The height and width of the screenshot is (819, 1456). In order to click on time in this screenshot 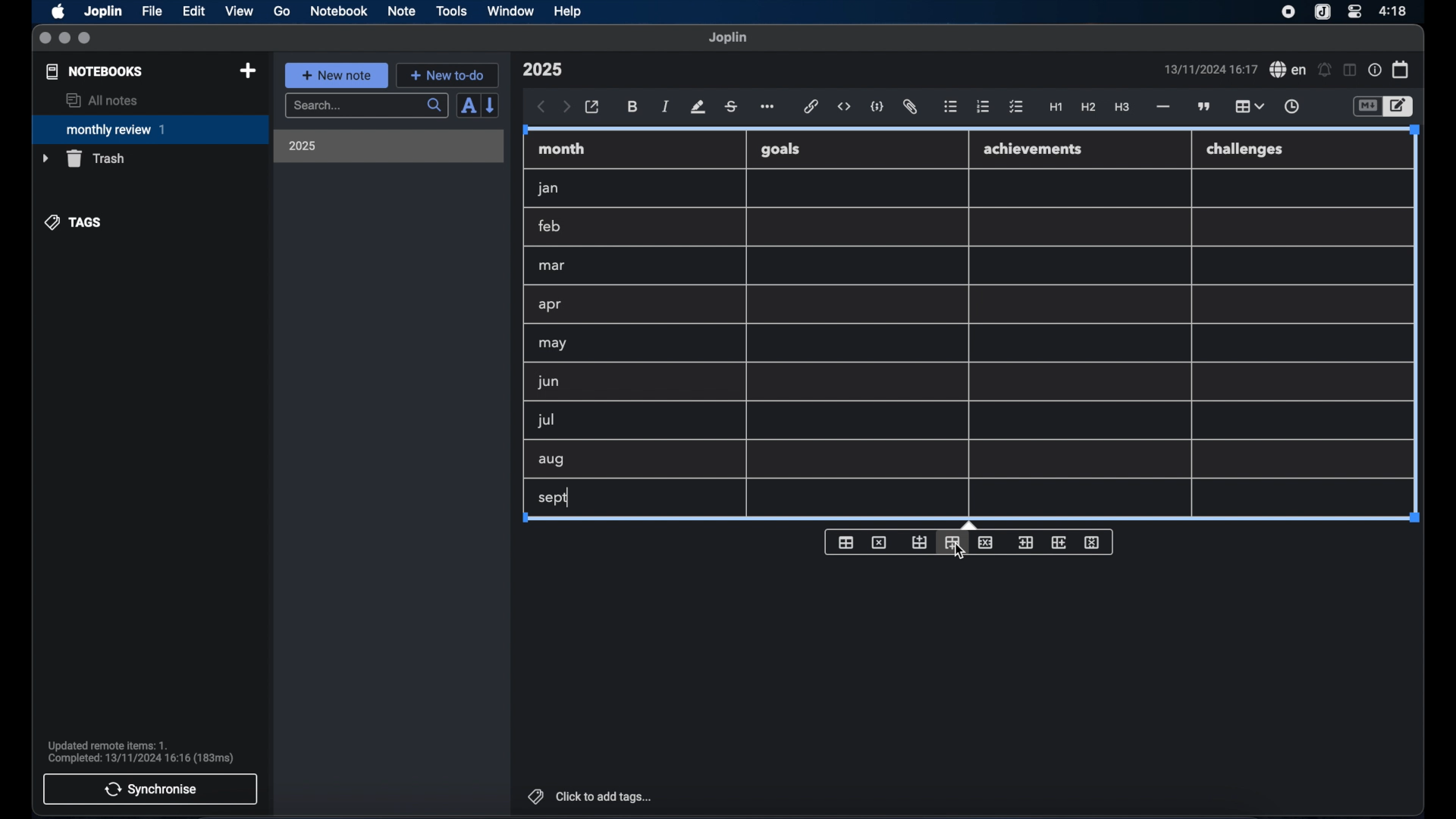, I will do `click(1395, 11)`.